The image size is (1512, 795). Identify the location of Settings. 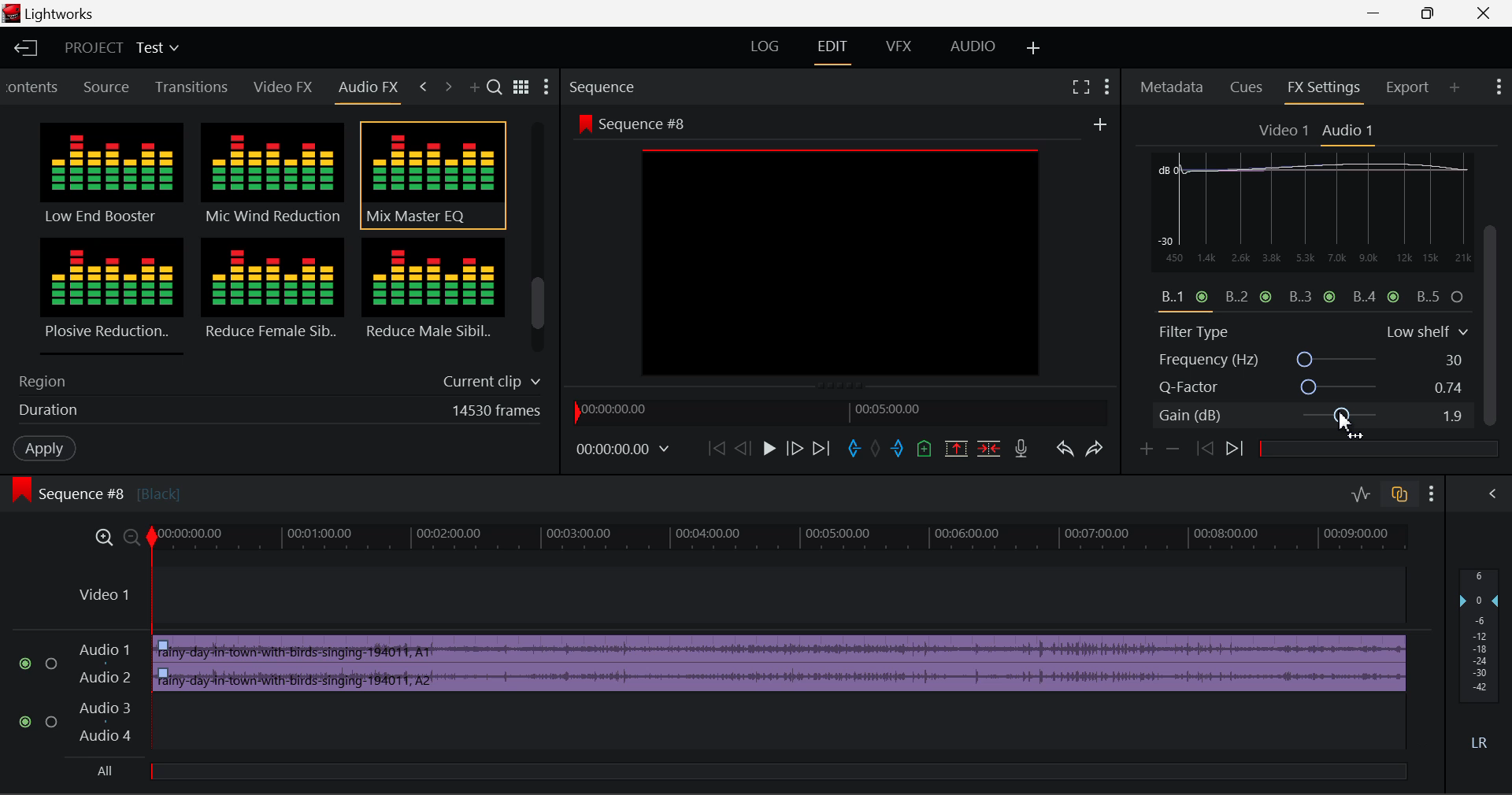
(547, 89).